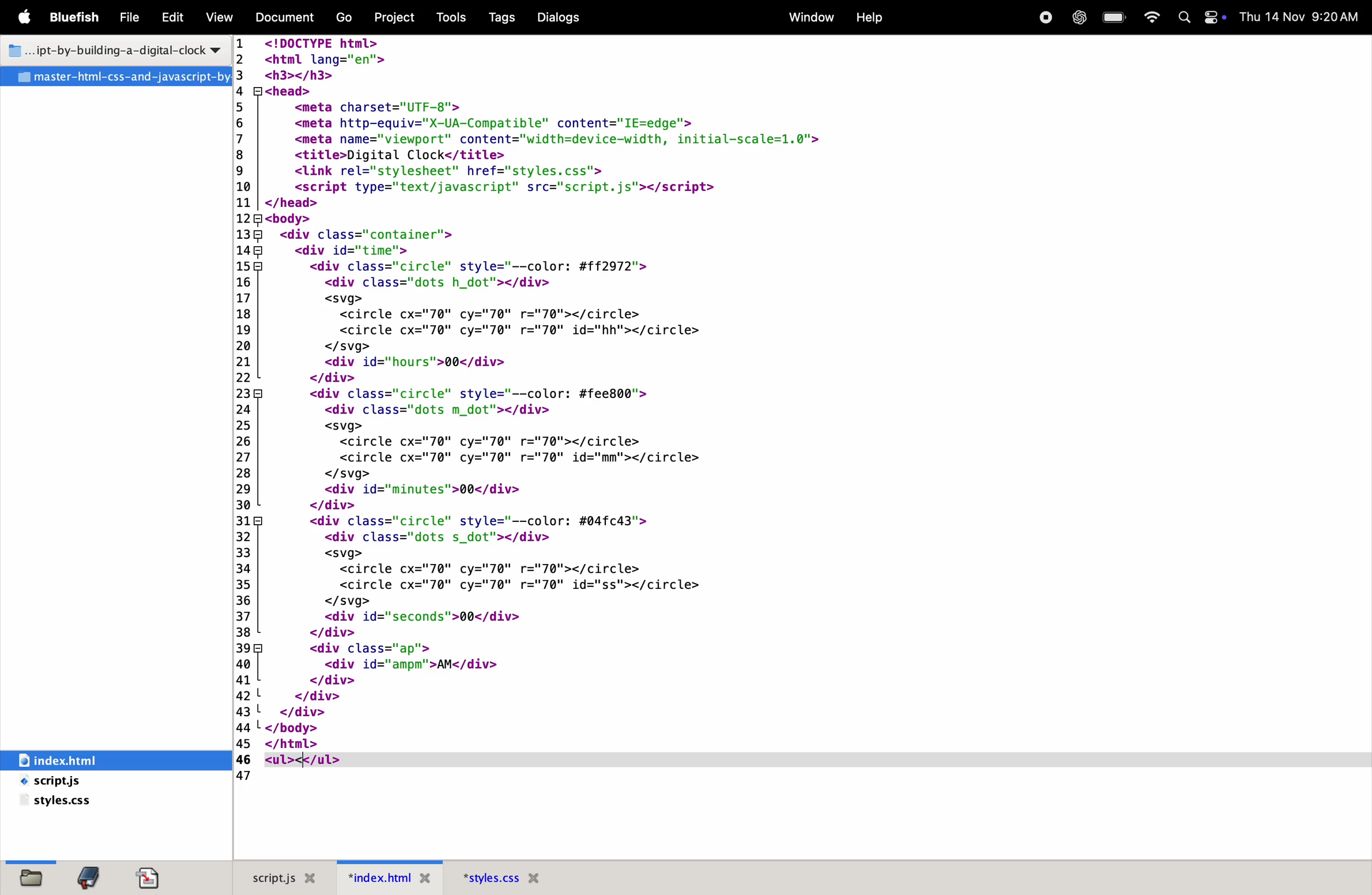 Image resolution: width=1372 pixels, height=895 pixels. I want to click on cursor, so click(305, 760).